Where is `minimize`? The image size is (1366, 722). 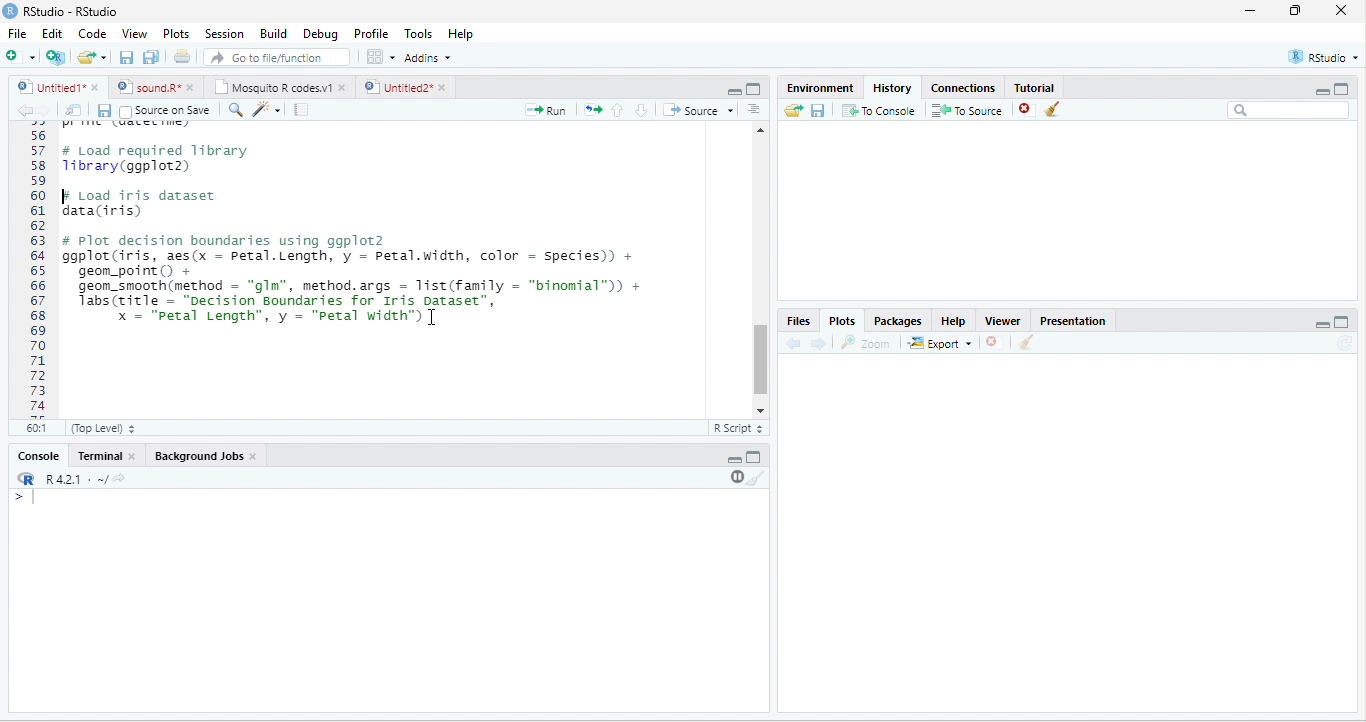 minimize is located at coordinates (1321, 92).